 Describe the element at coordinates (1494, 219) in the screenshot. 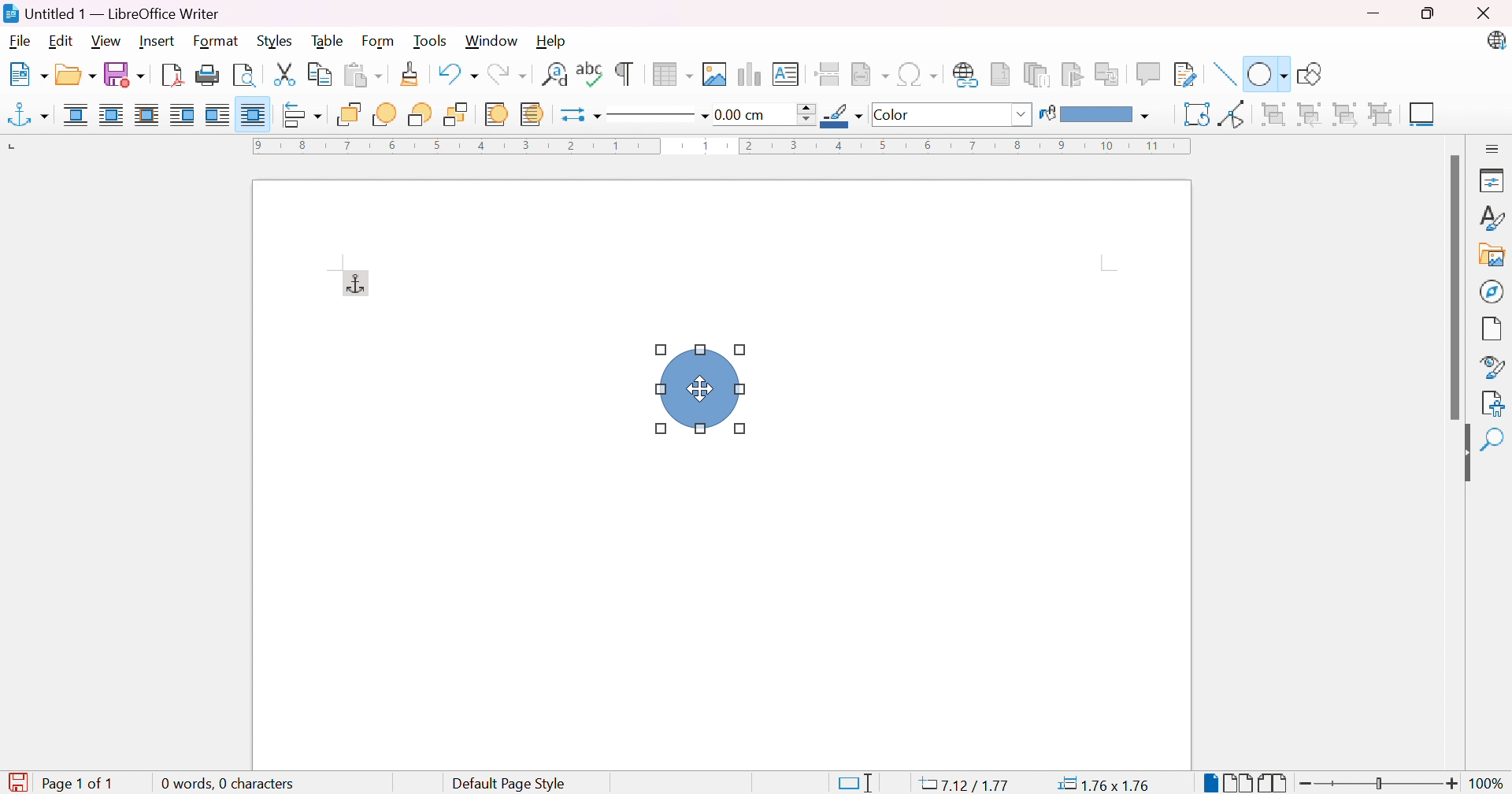

I see `Styles` at that location.